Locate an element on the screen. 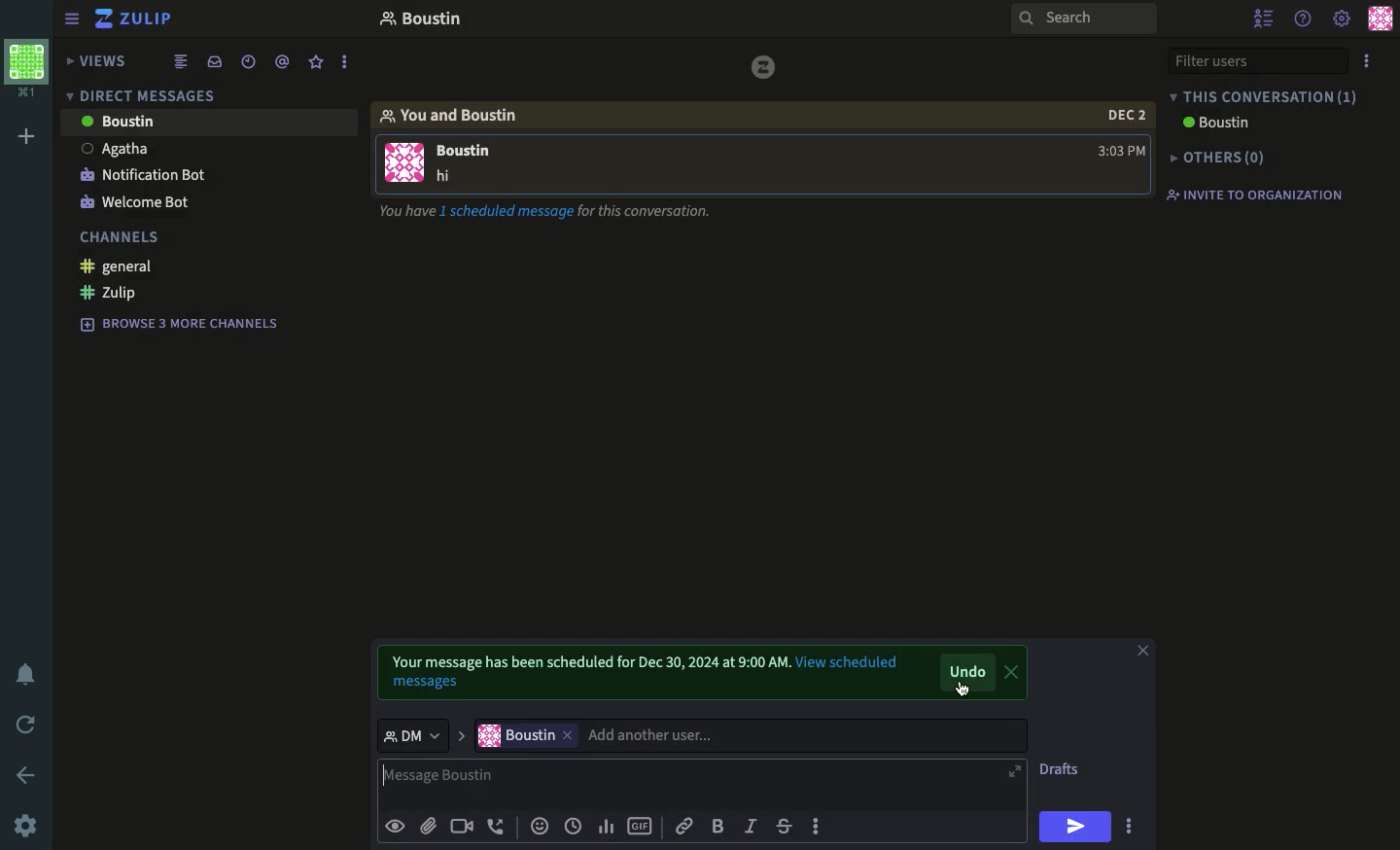 This screenshot has width=1400, height=850. back is located at coordinates (29, 775).